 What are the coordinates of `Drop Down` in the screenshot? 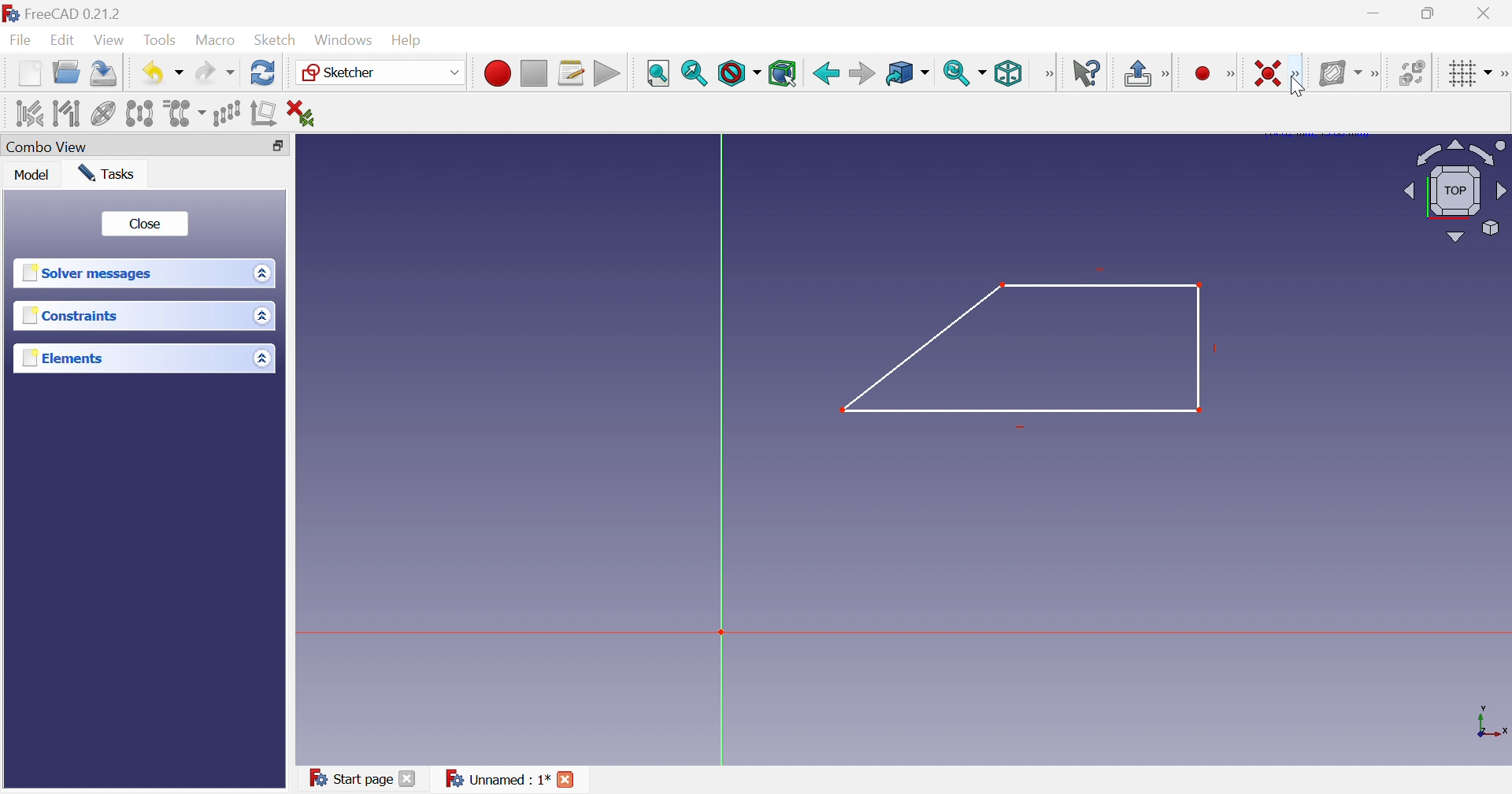 It's located at (1489, 70).